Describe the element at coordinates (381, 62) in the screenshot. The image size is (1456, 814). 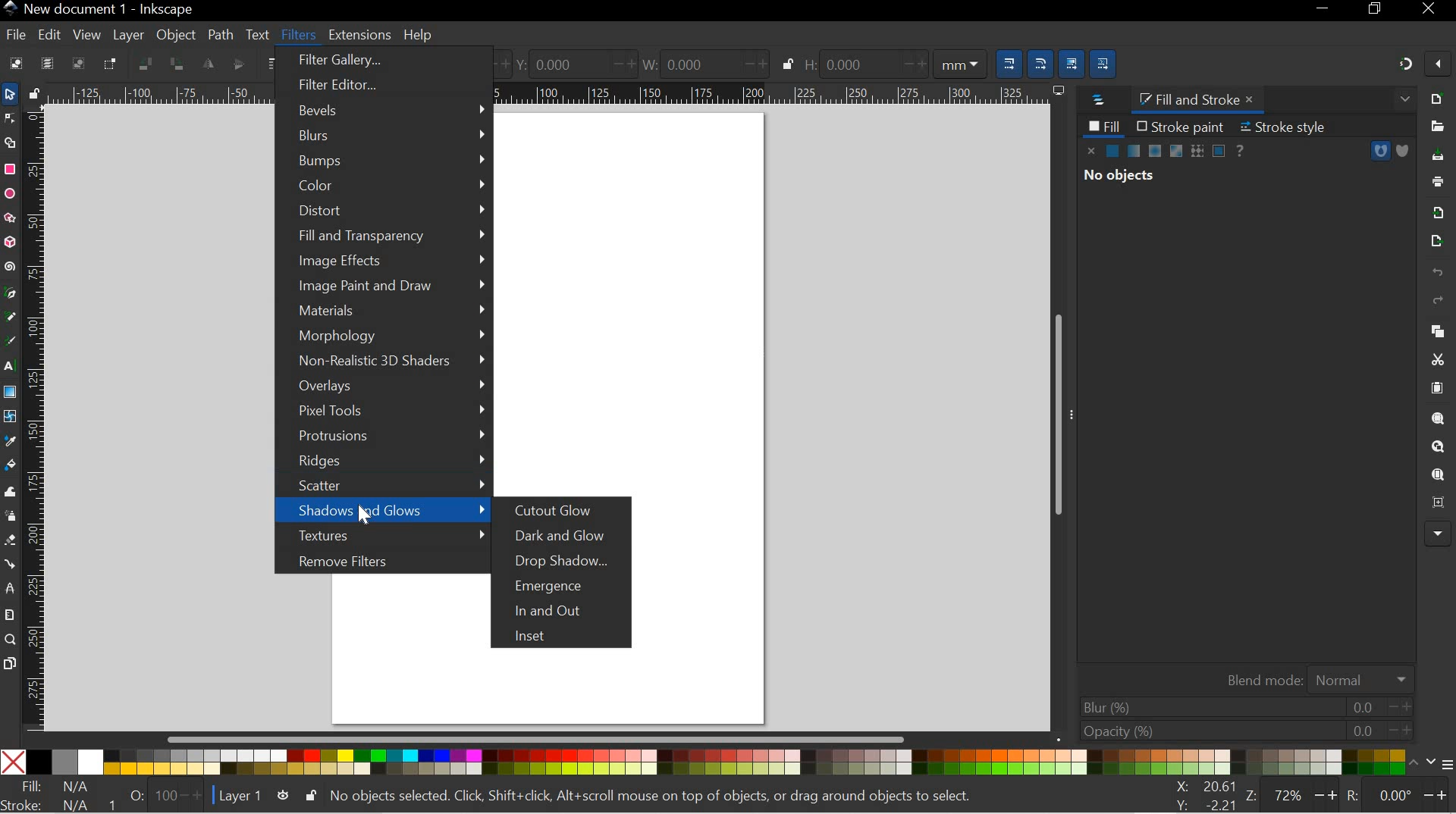
I see `FILTER GALLERY` at that location.